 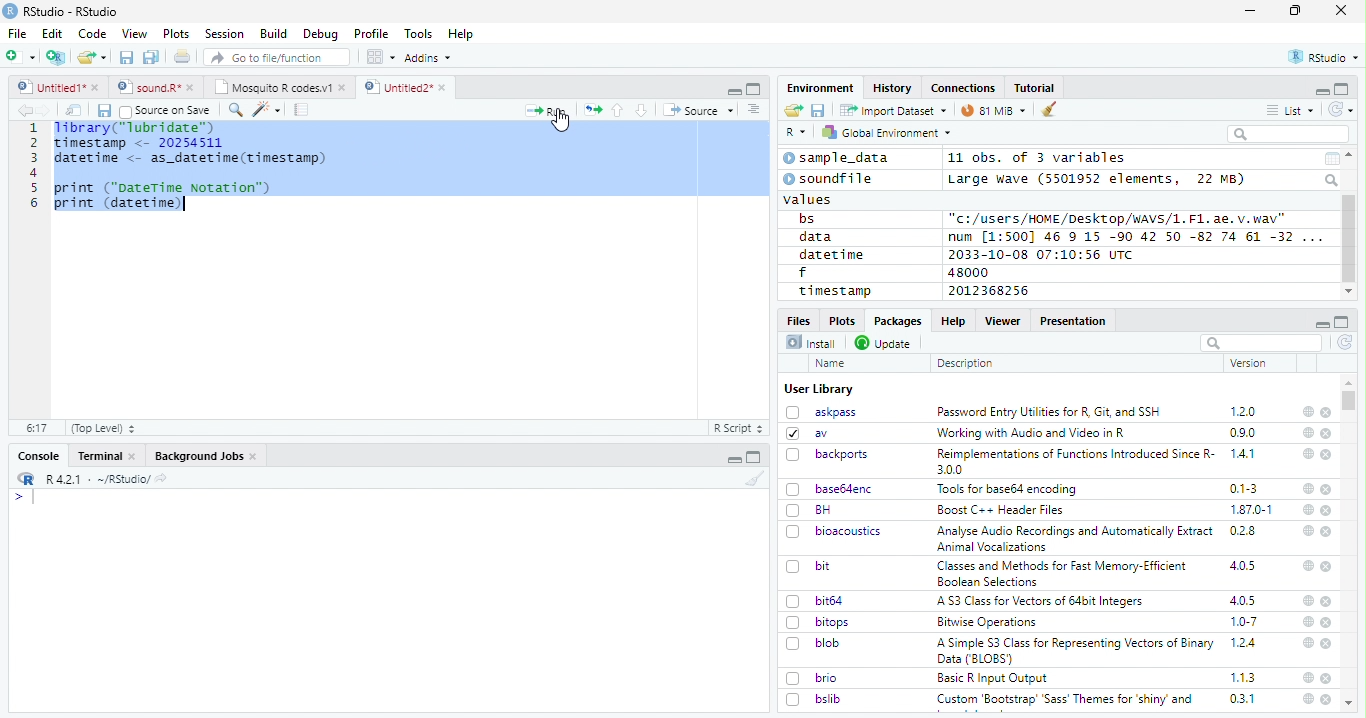 What do you see at coordinates (278, 57) in the screenshot?
I see `Go to file/function` at bounding box center [278, 57].